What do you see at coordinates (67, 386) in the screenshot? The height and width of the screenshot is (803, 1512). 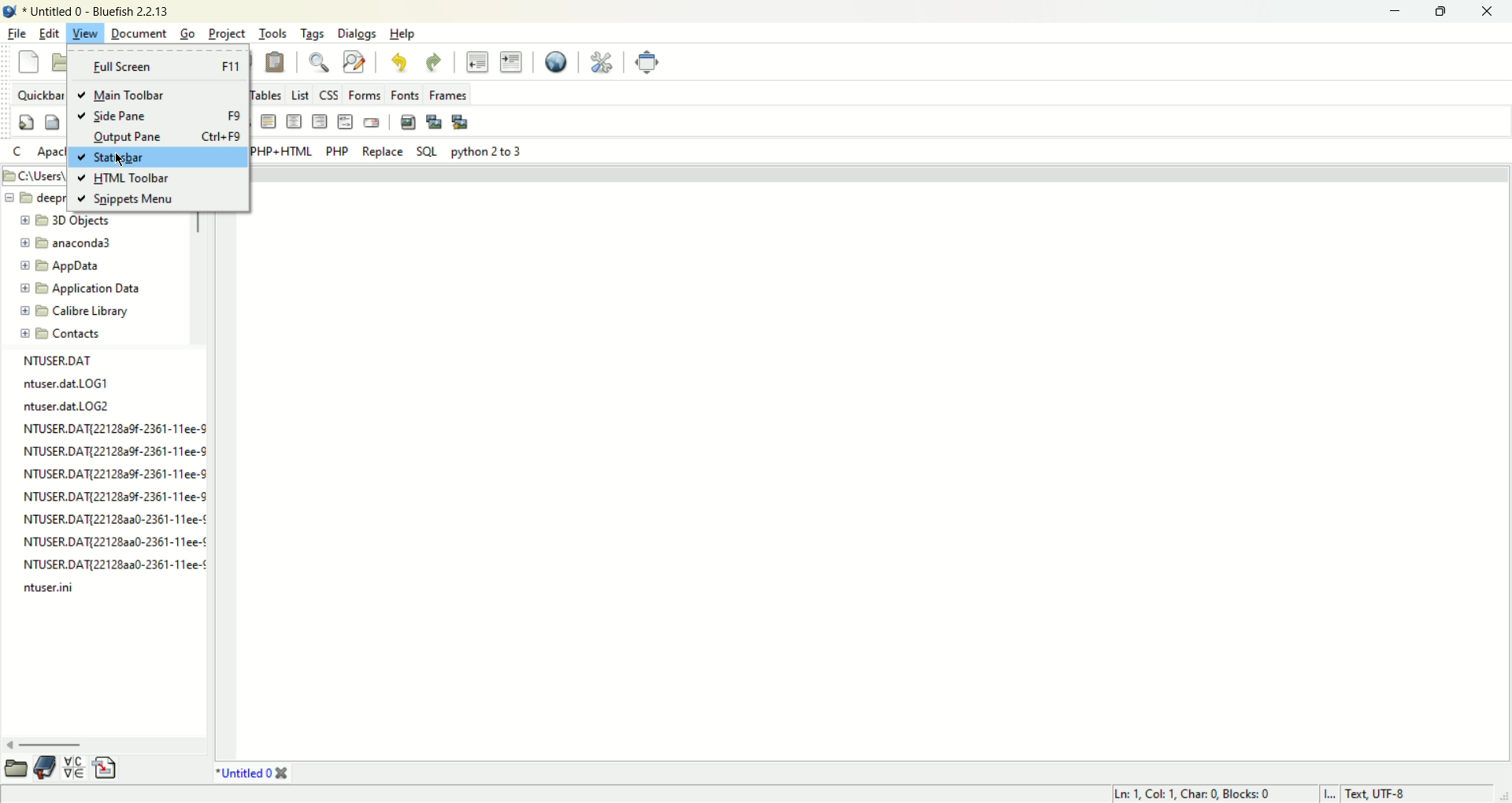 I see `ntuser.dat.LOG1` at bounding box center [67, 386].